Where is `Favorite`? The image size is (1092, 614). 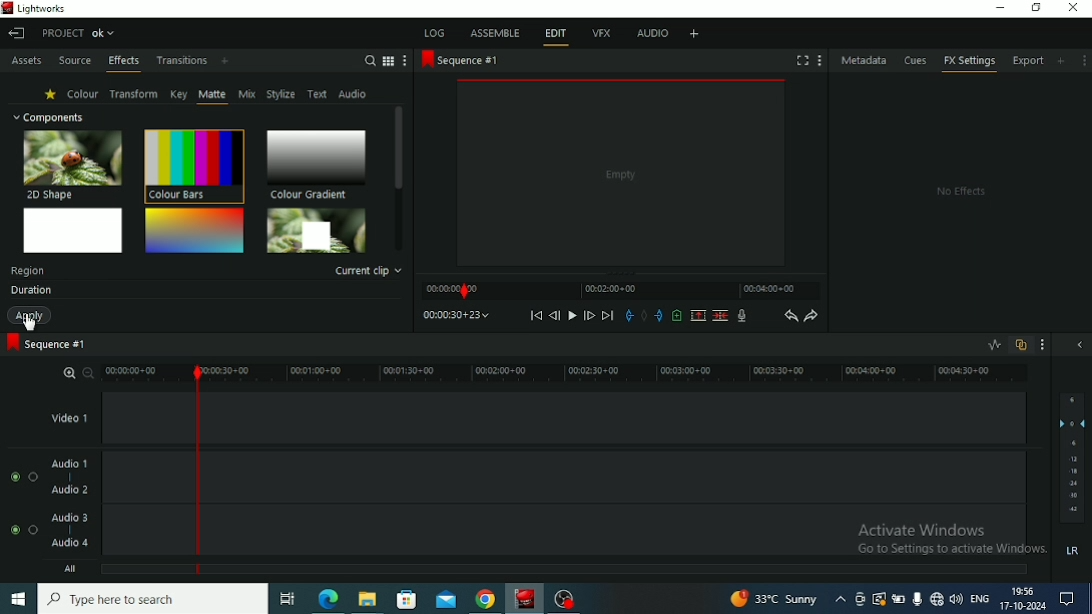
Favorite is located at coordinates (51, 94).